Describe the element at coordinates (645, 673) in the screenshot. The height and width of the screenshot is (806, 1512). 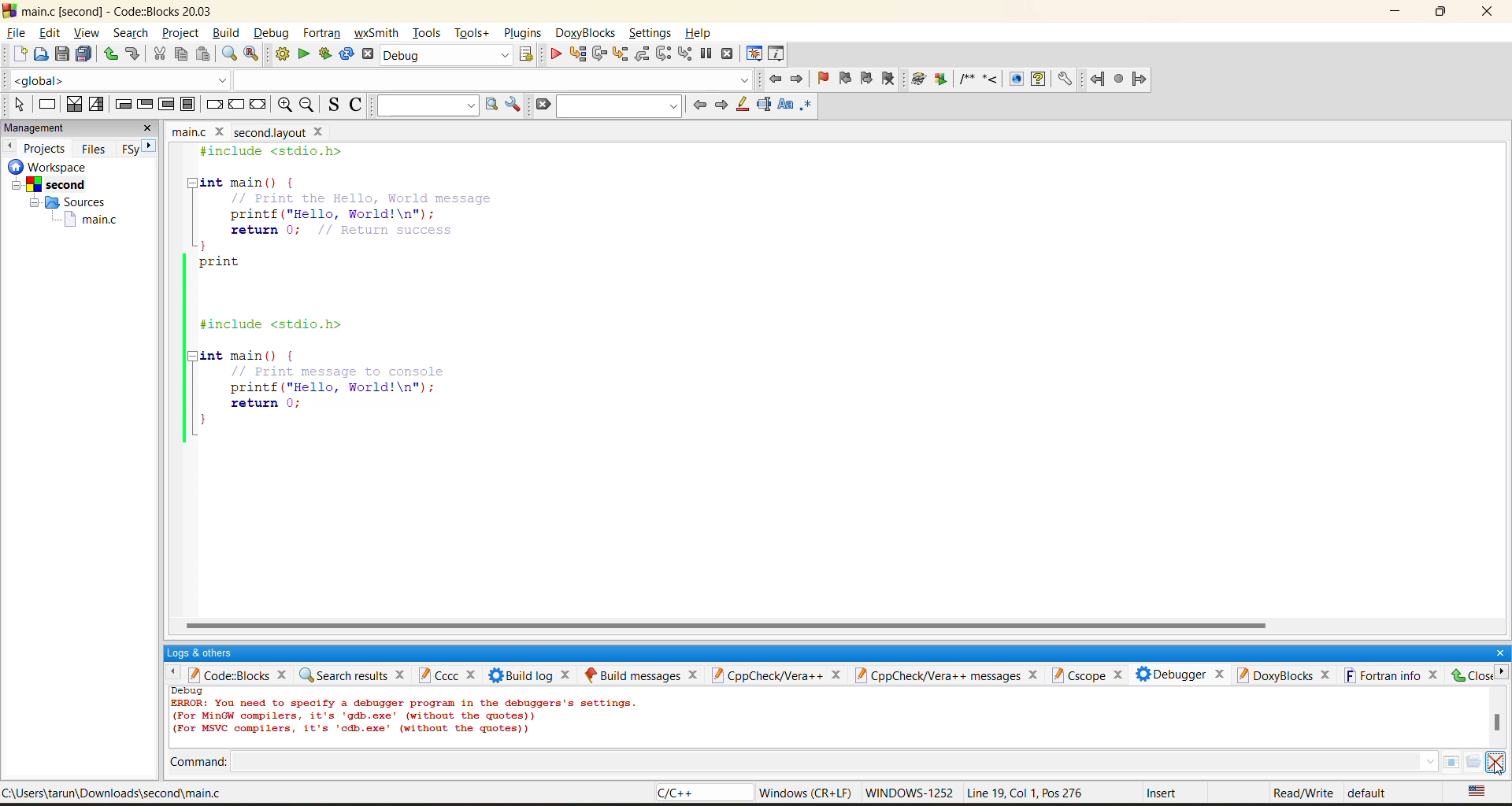
I see `build messages` at that location.